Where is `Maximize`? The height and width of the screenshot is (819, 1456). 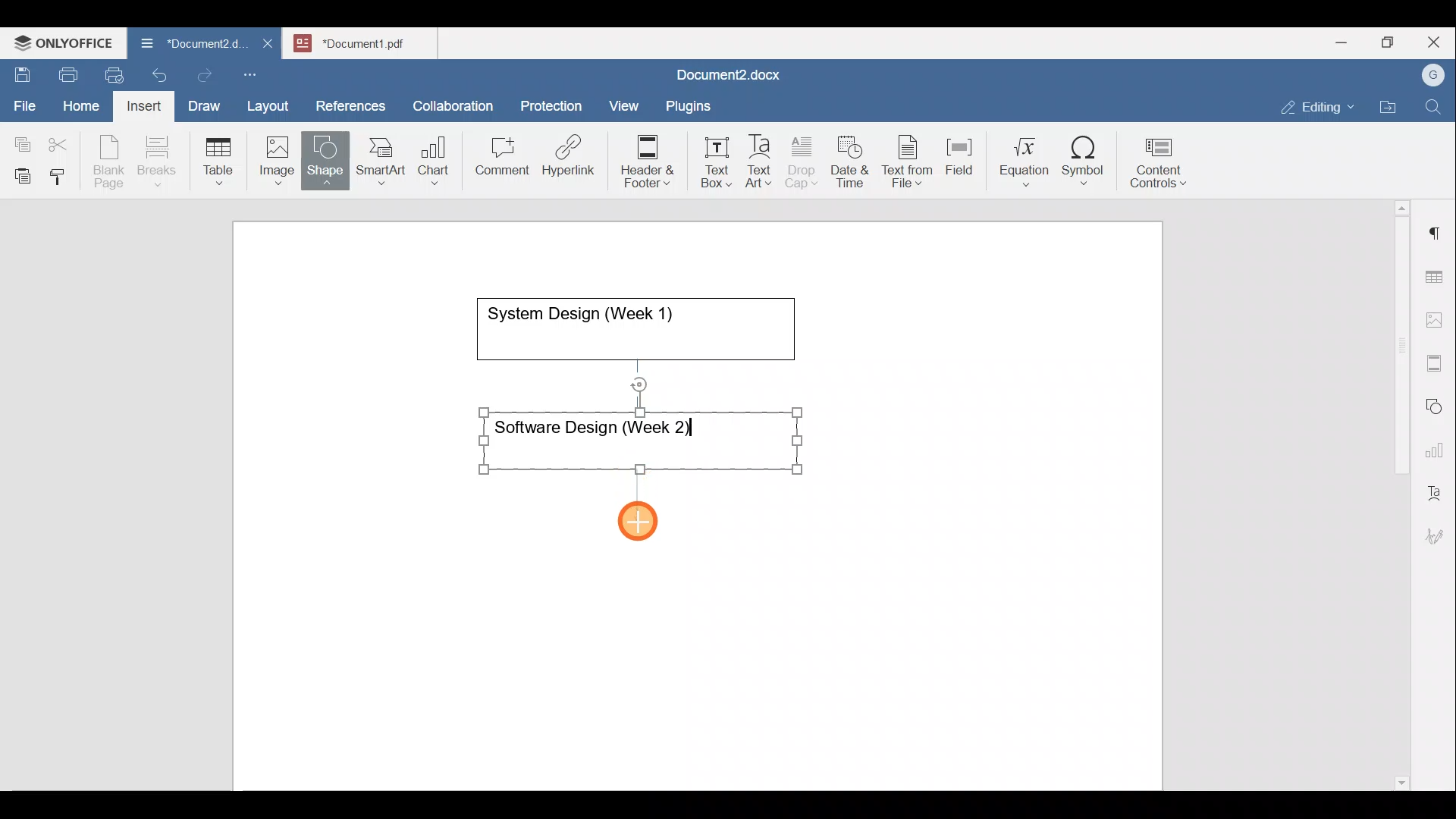 Maximize is located at coordinates (1392, 42).